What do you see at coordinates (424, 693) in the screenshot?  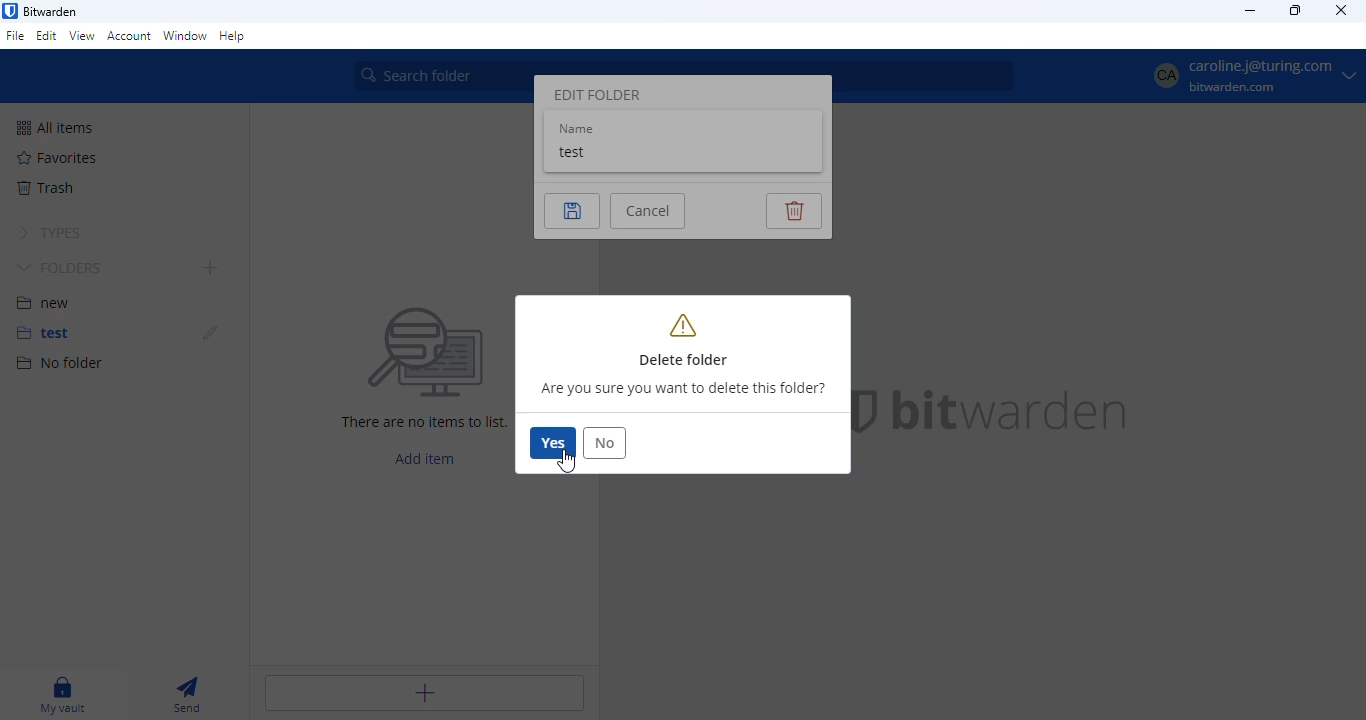 I see `add item` at bounding box center [424, 693].